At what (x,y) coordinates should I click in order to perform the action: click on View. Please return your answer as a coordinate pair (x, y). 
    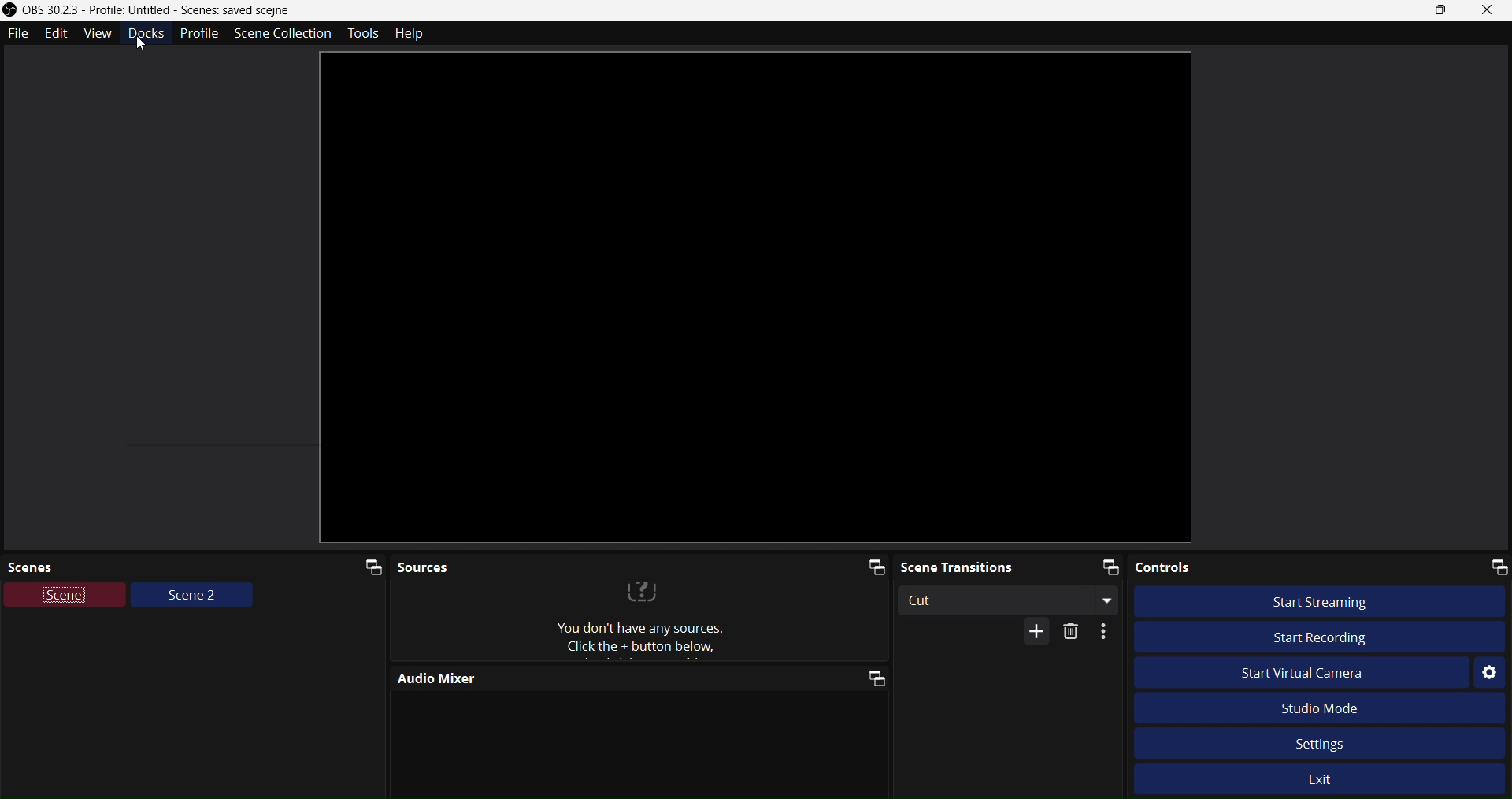
    Looking at the image, I should click on (93, 35).